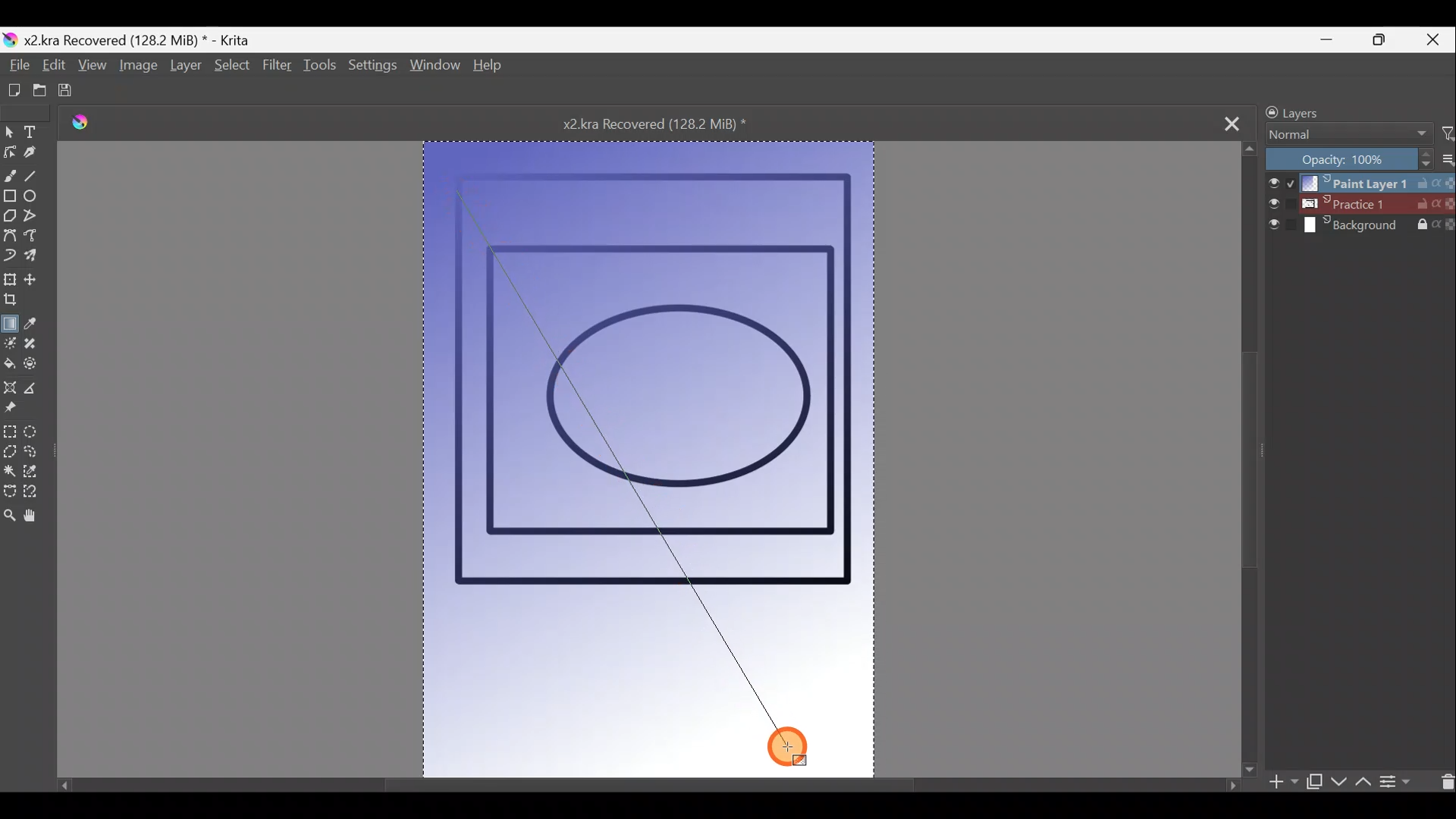 Image resolution: width=1456 pixels, height=819 pixels. I want to click on Pan tool, so click(35, 519).